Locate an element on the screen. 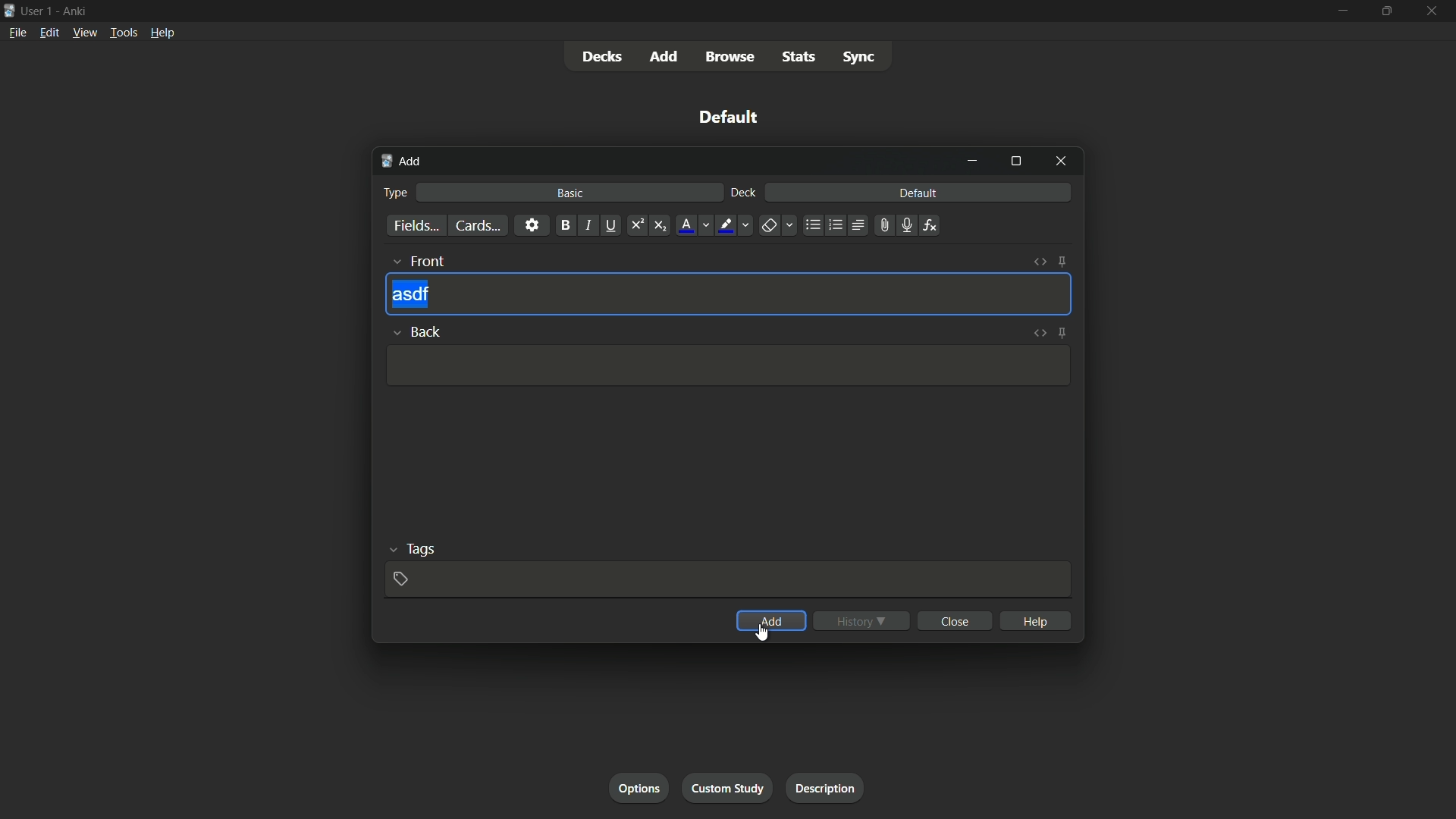 The width and height of the screenshot is (1456, 819). front is located at coordinates (417, 260).